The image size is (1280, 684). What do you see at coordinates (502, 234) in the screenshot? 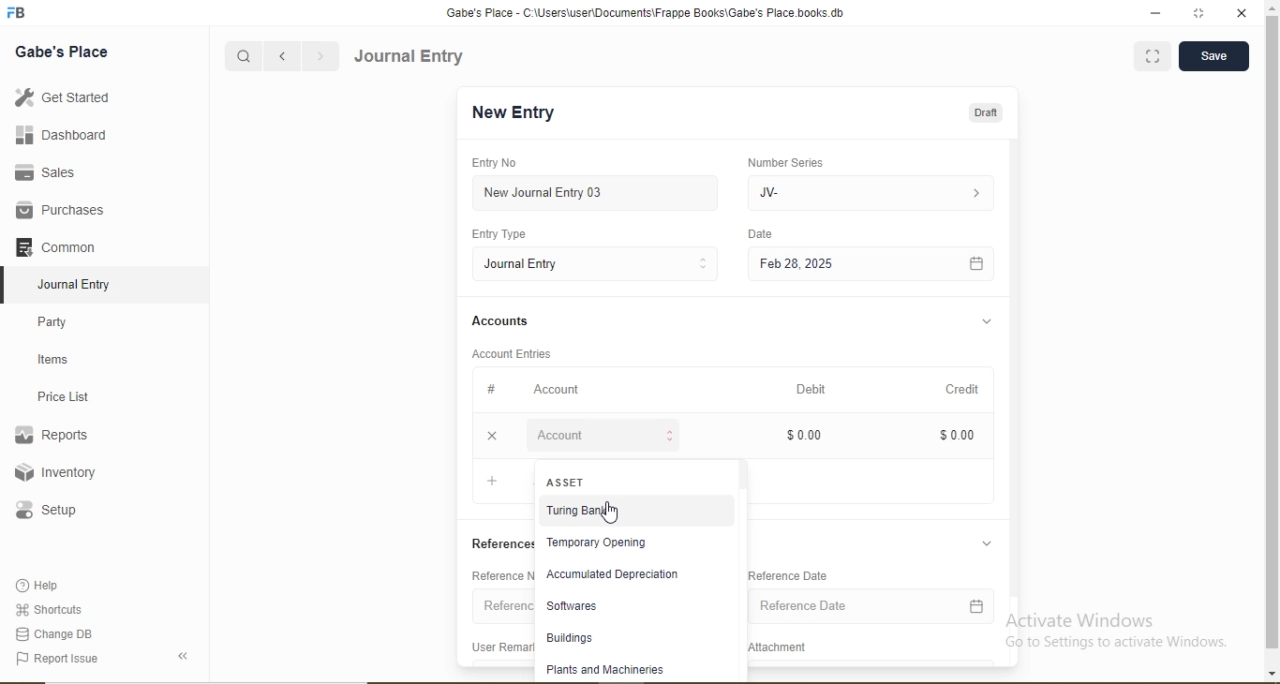
I see `Entry Type` at bounding box center [502, 234].